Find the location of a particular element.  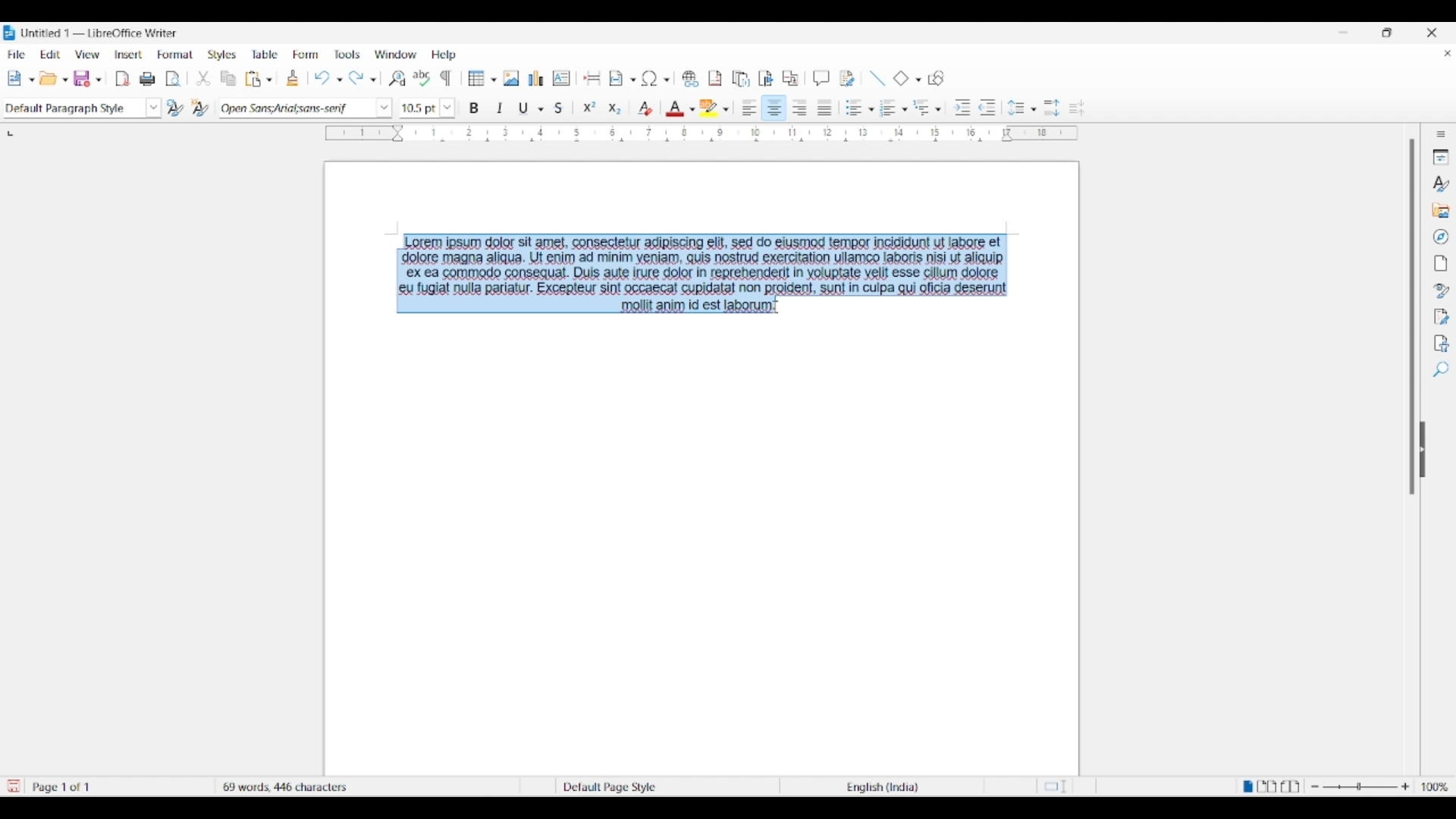

Character highlighting color options is located at coordinates (726, 109).